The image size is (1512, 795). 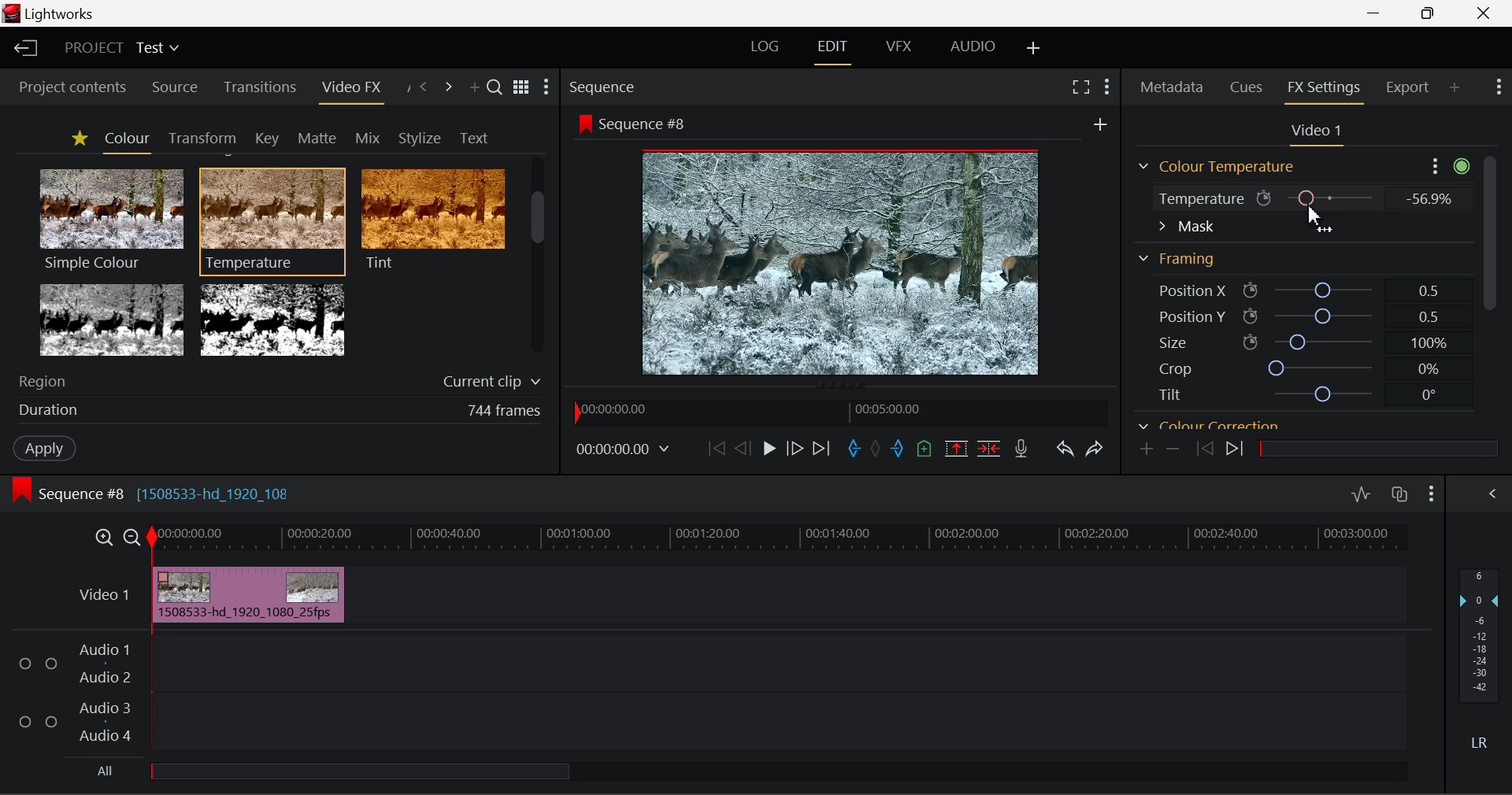 I want to click on Audio 4, so click(x=102, y=733).